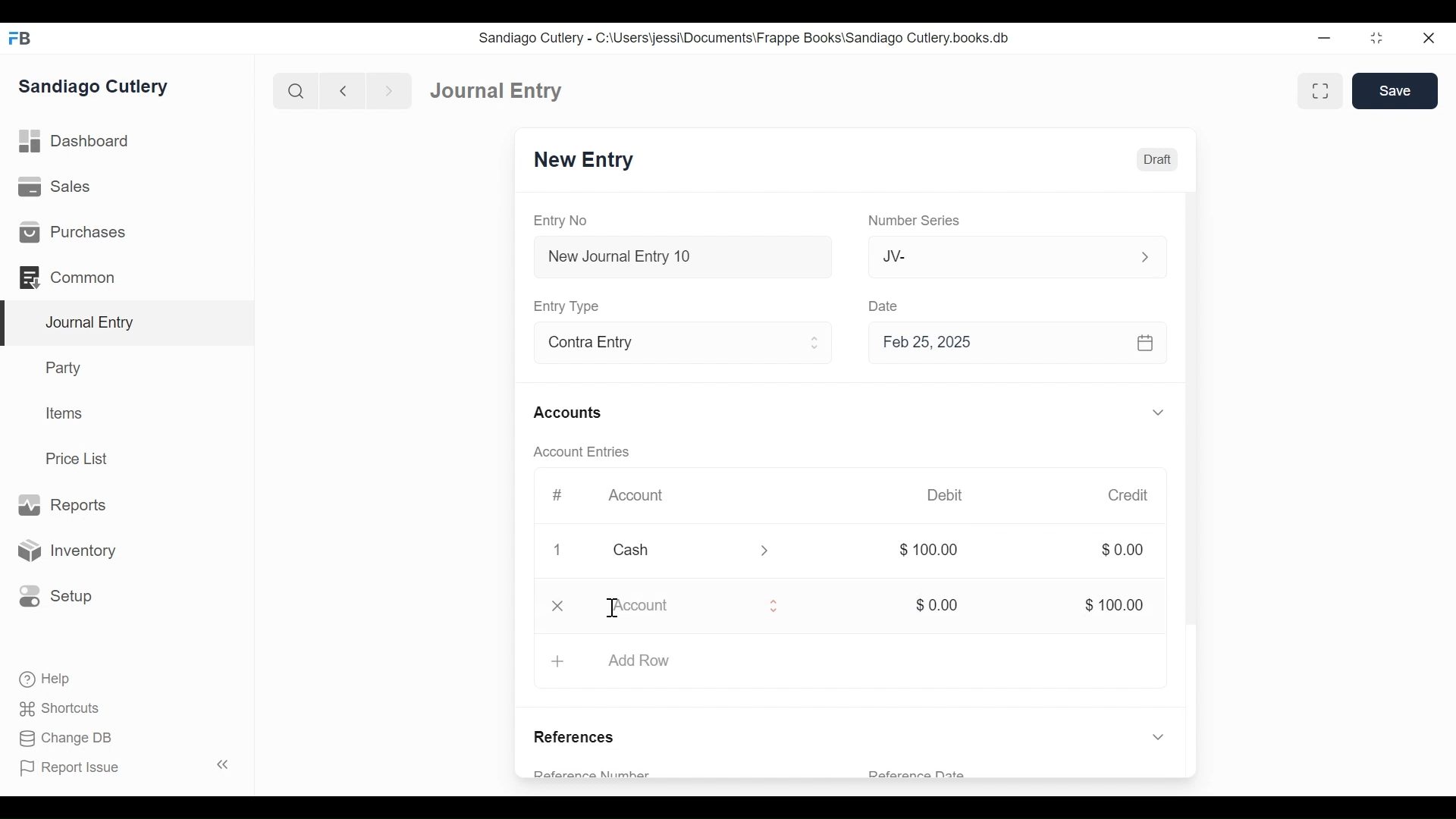  What do you see at coordinates (747, 39) in the screenshot?
I see `Sandiago Cutlery - C:\Users\jessi\Documents\Frappe Books\Sandiago Cutlery.books.db` at bounding box center [747, 39].